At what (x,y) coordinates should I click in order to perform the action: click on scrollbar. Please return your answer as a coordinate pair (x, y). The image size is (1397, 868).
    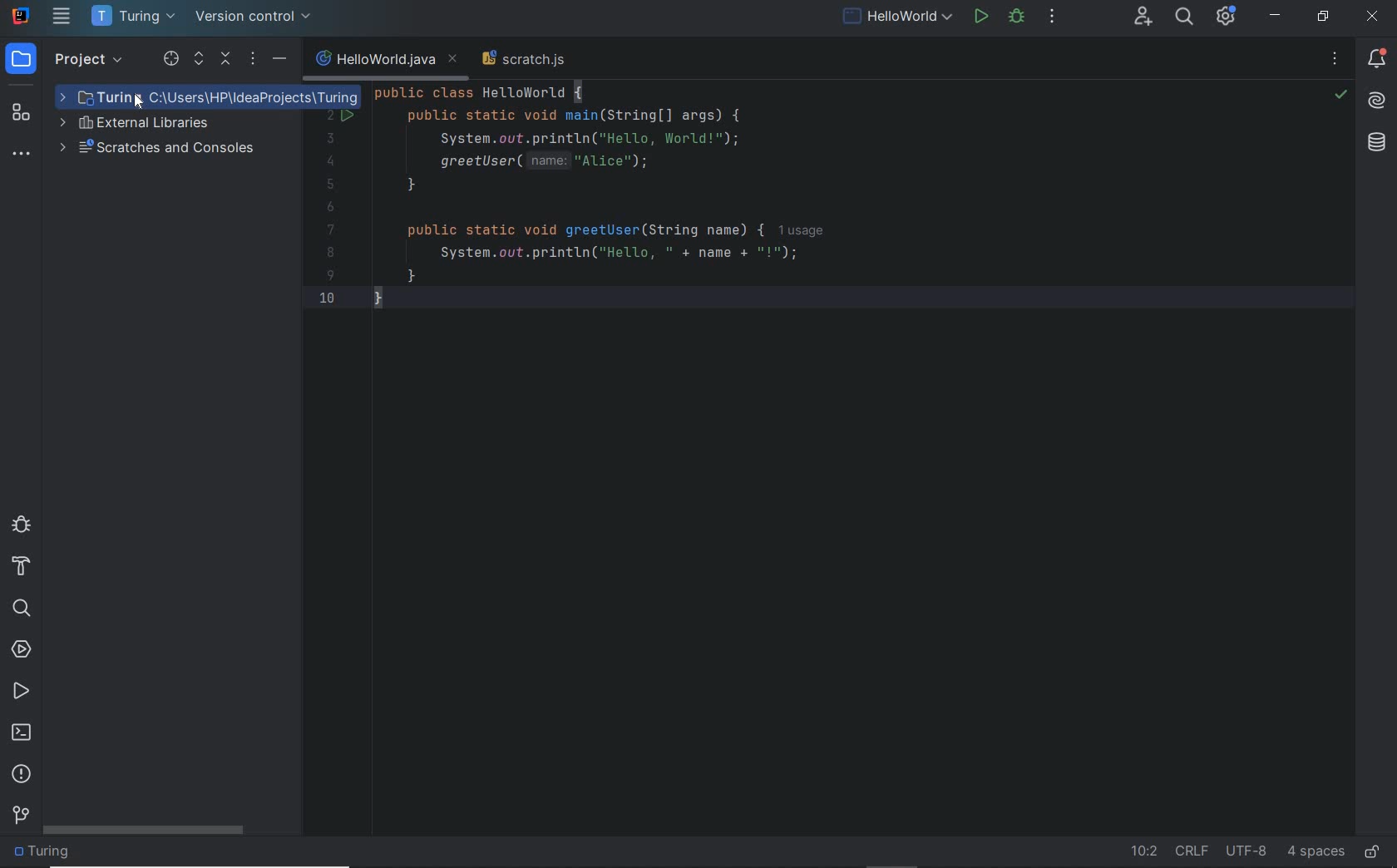
    Looking at the image, I should click on (144, 831).